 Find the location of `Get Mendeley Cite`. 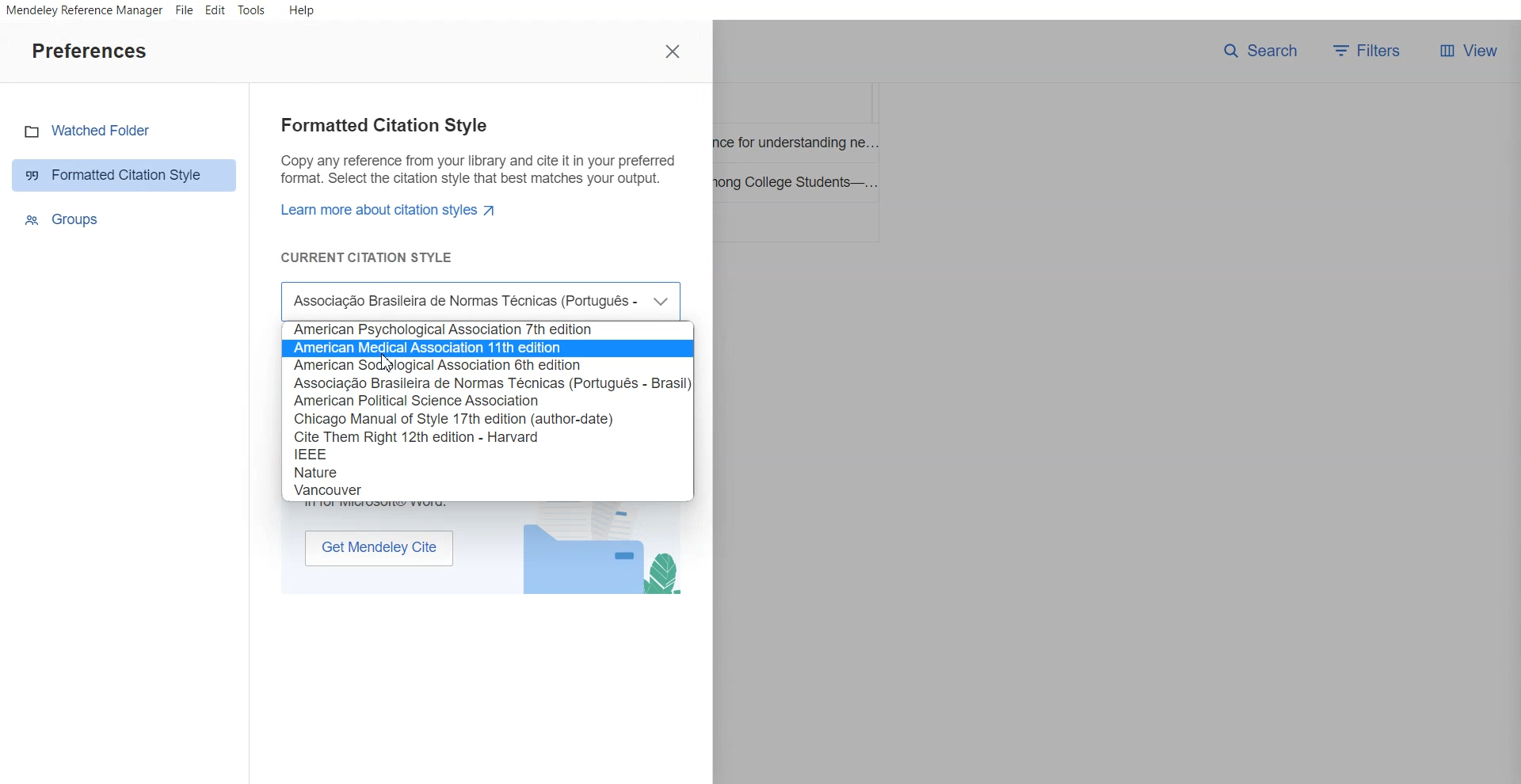

Get Mendeley Cite is located at coordinates (379, 547).